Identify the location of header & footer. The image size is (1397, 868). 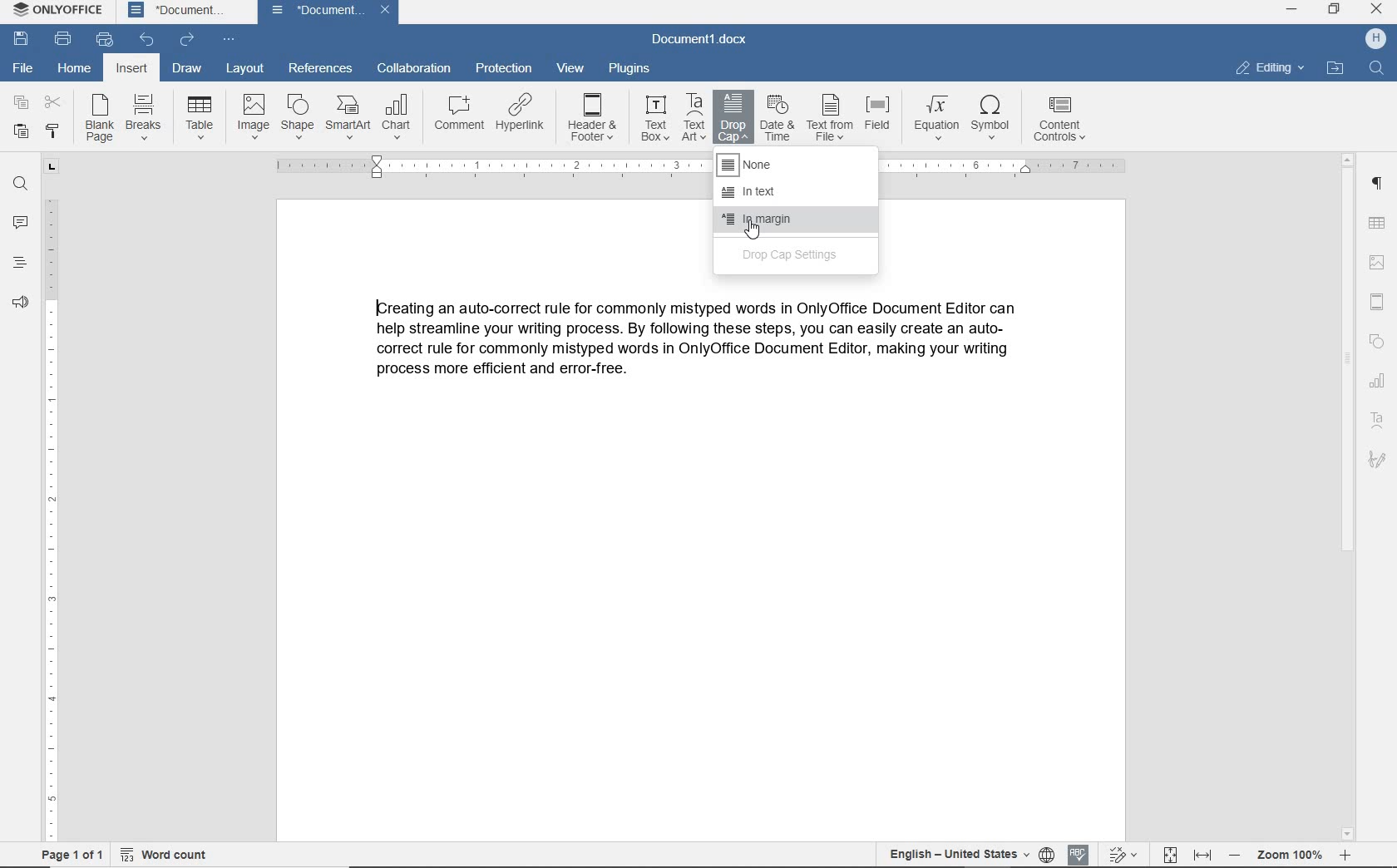
(1380, 298).